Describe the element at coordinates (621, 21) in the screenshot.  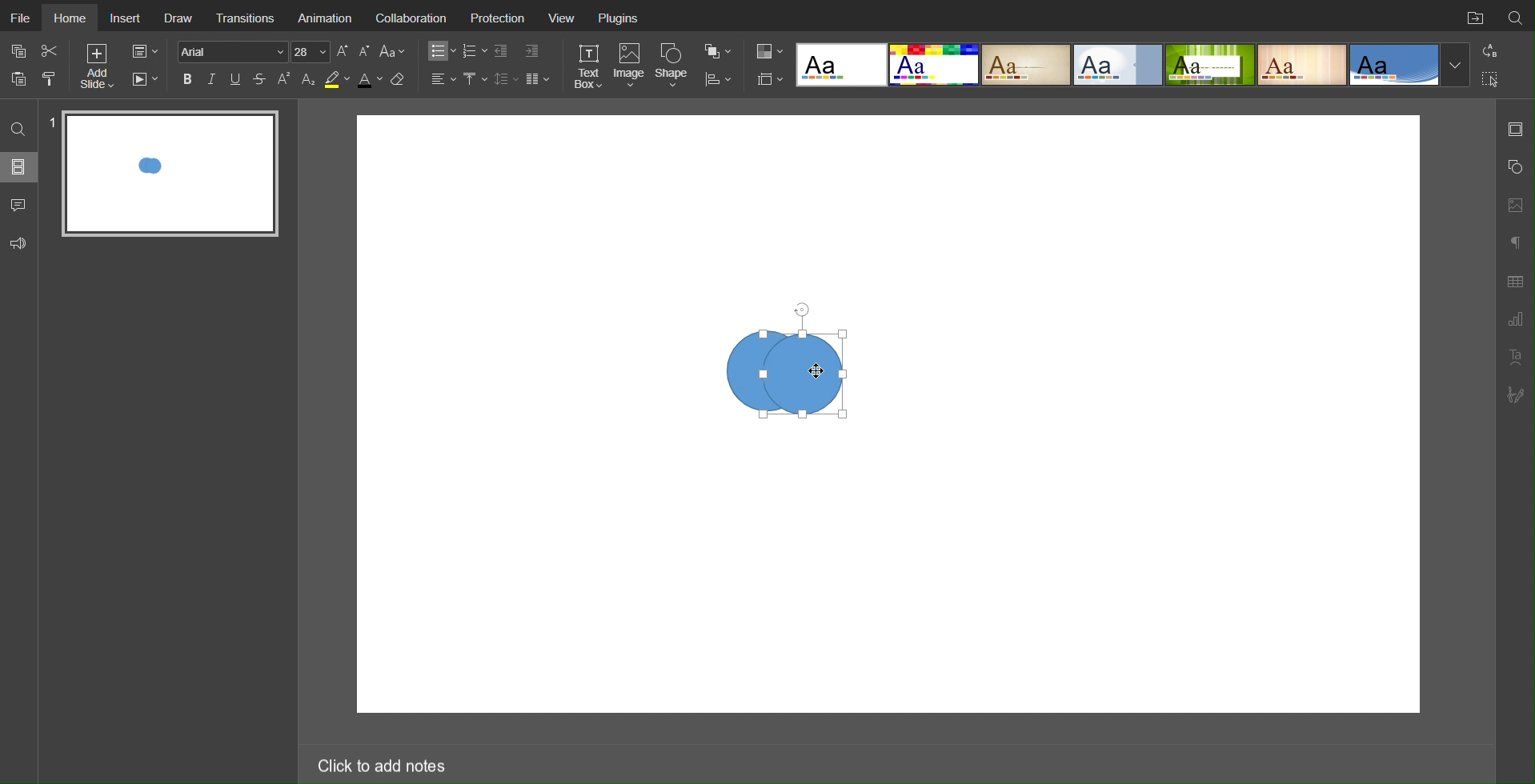
I see `Plugins` at that location.